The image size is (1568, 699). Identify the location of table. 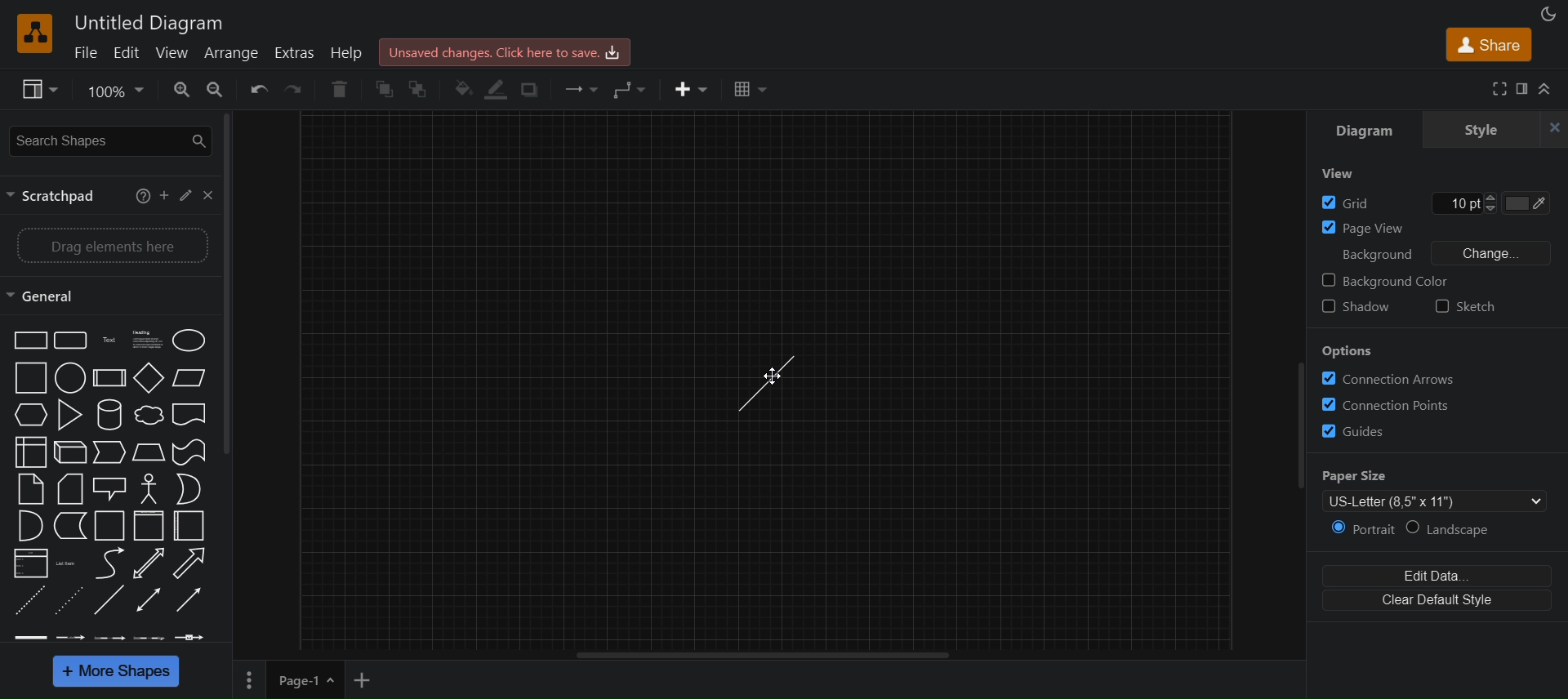
(755, 91).